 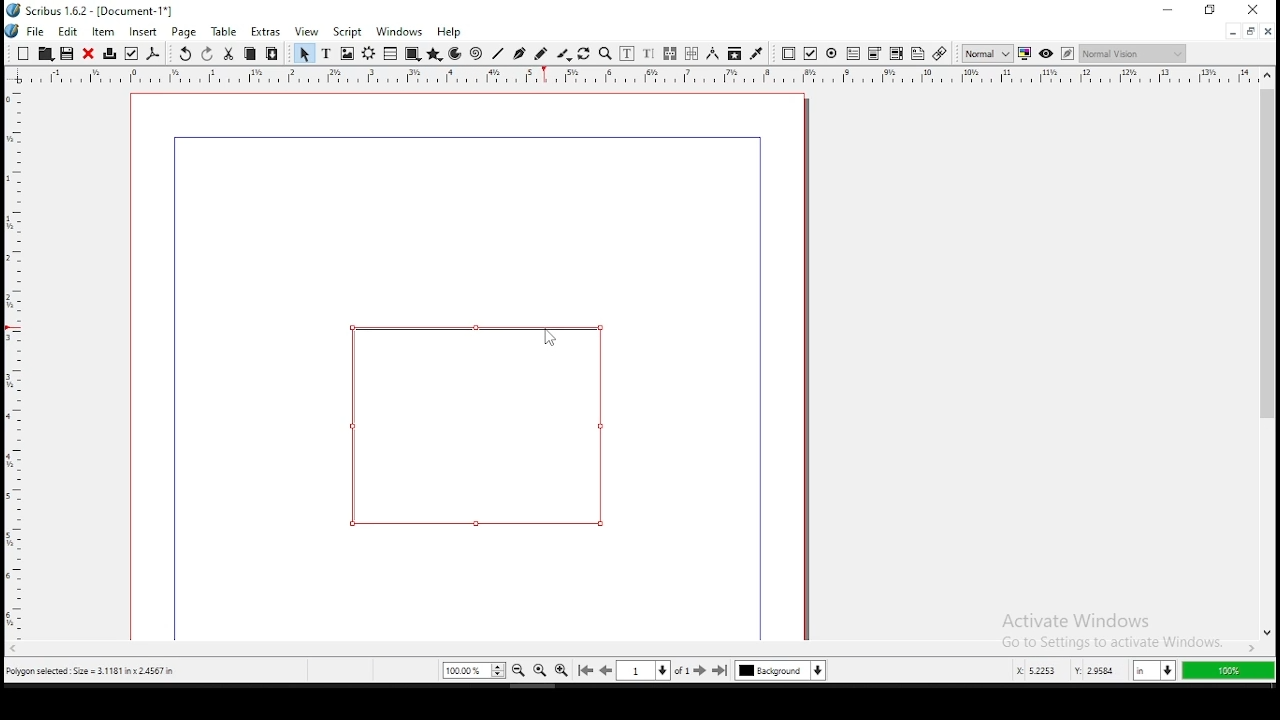 What do you see at coordinates (456, 54) in the screenshot?
I see `arc` at bounding box center [456, 54].